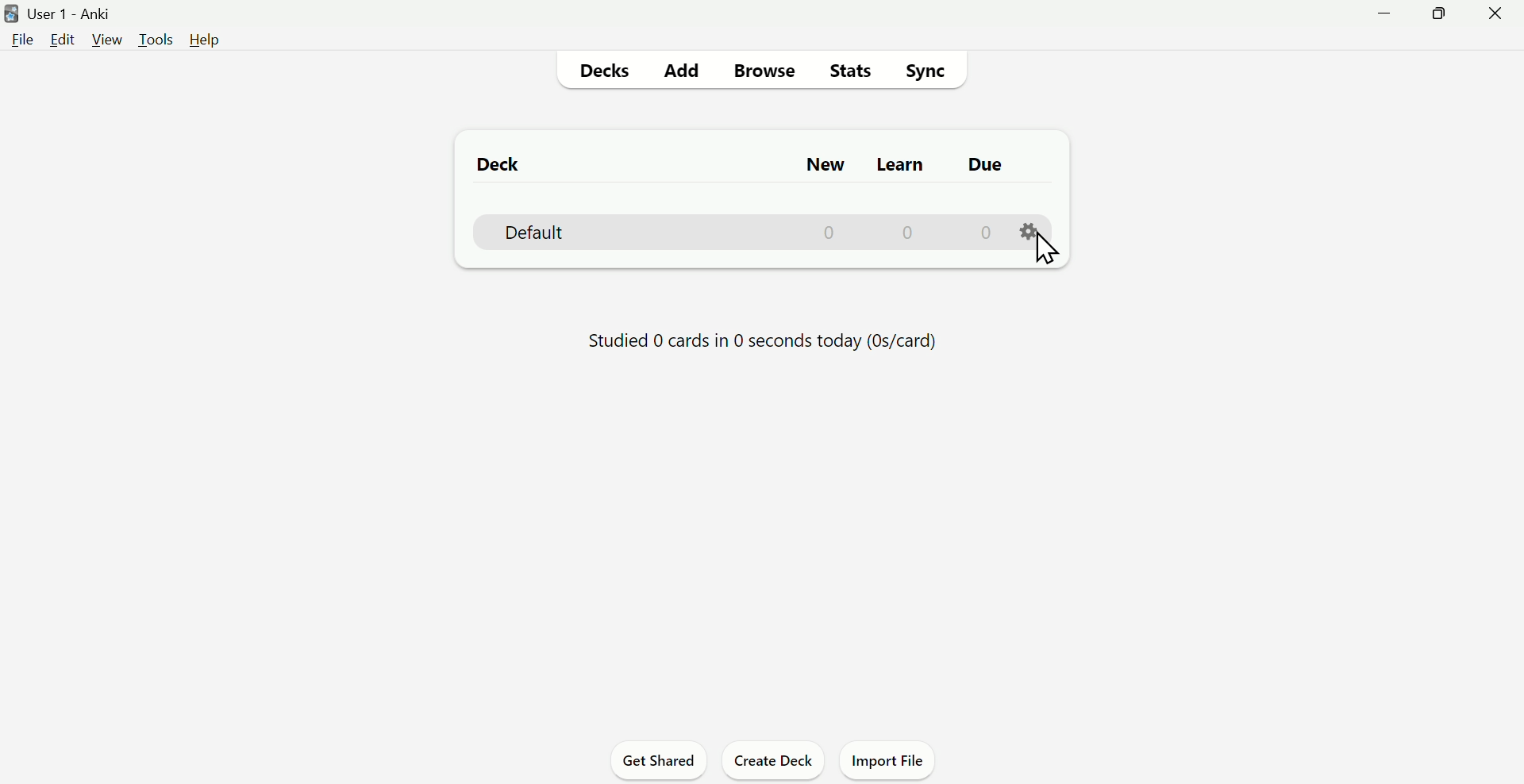 The width and height of the screenshot is (1524, 784). I want to click on Help, so click(202, 40).